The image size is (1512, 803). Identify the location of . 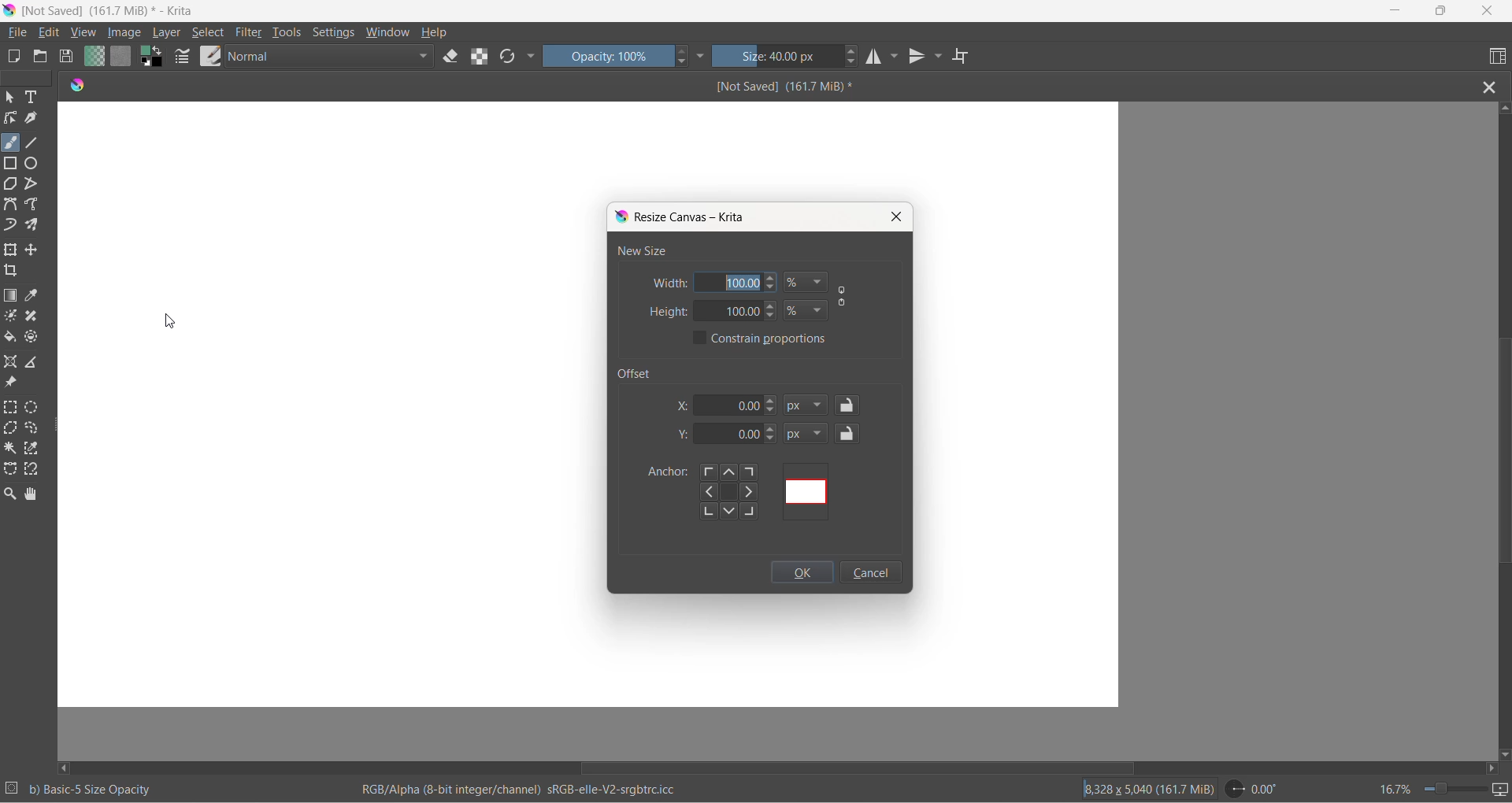
(771, 400).